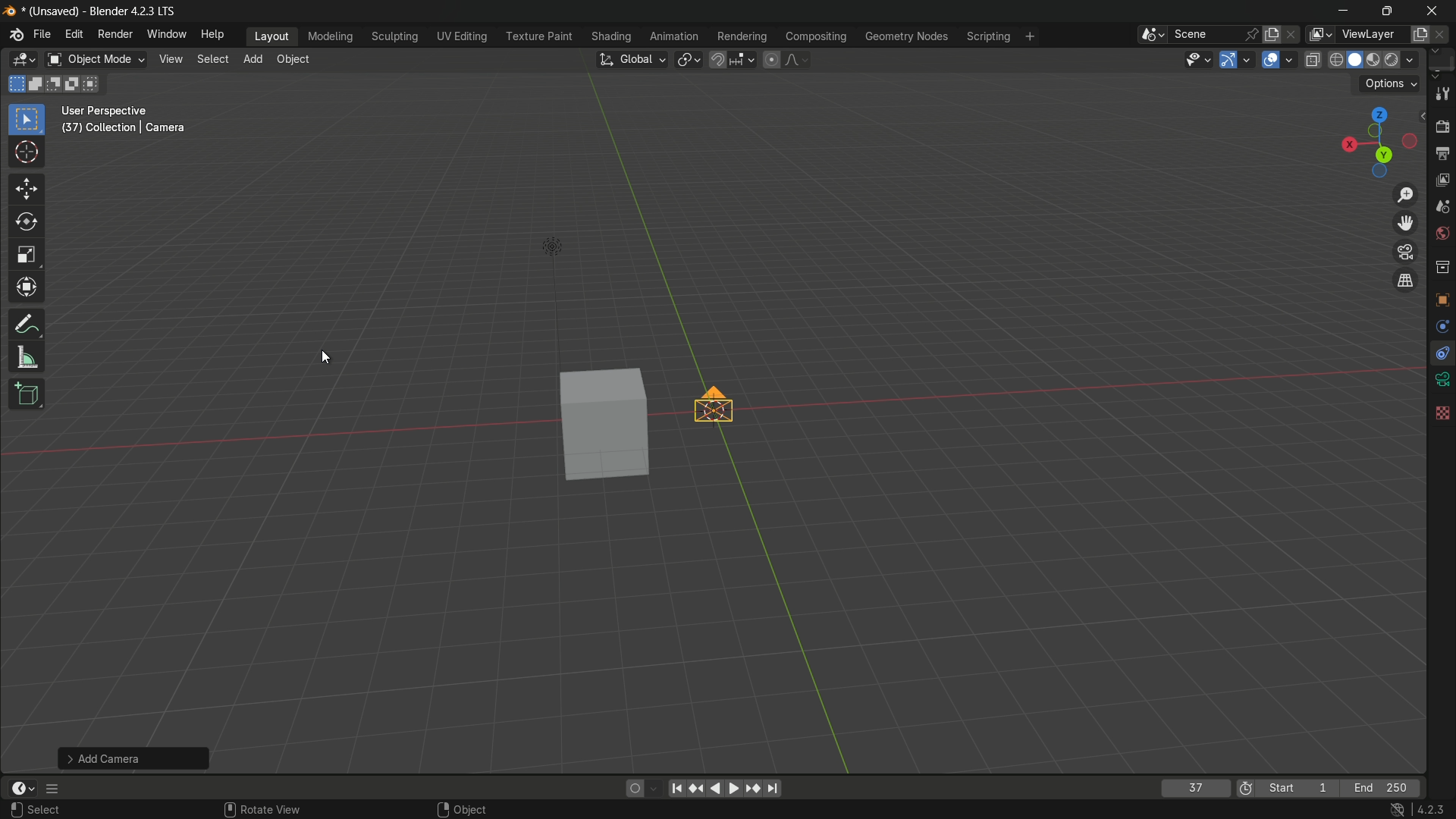  What do you see at coordinates (1203, 35) in the screenshot?
I see `scene name` at bounding box center [1203, 35].